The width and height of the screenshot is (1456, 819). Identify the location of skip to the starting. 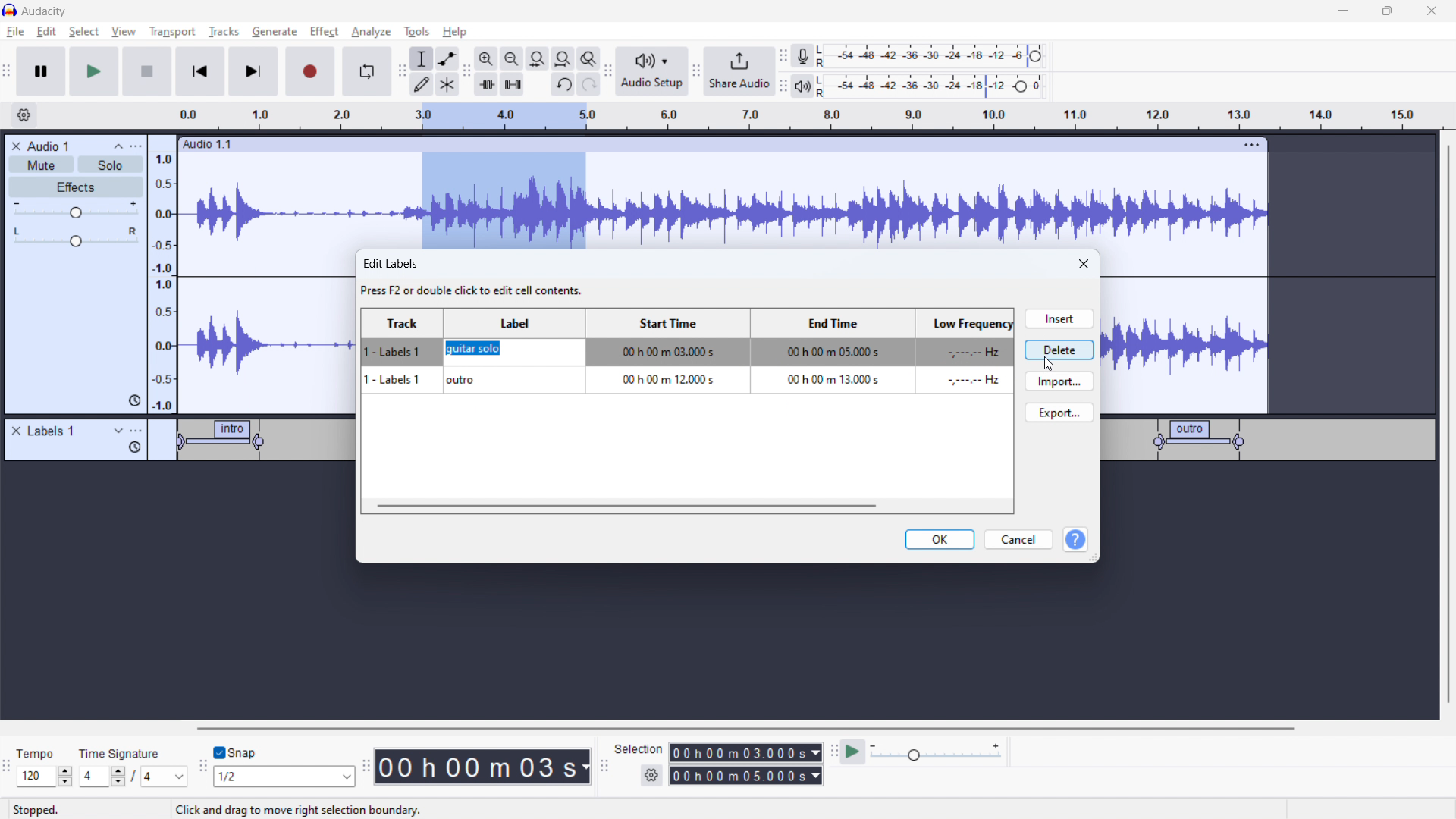
(199, 72).